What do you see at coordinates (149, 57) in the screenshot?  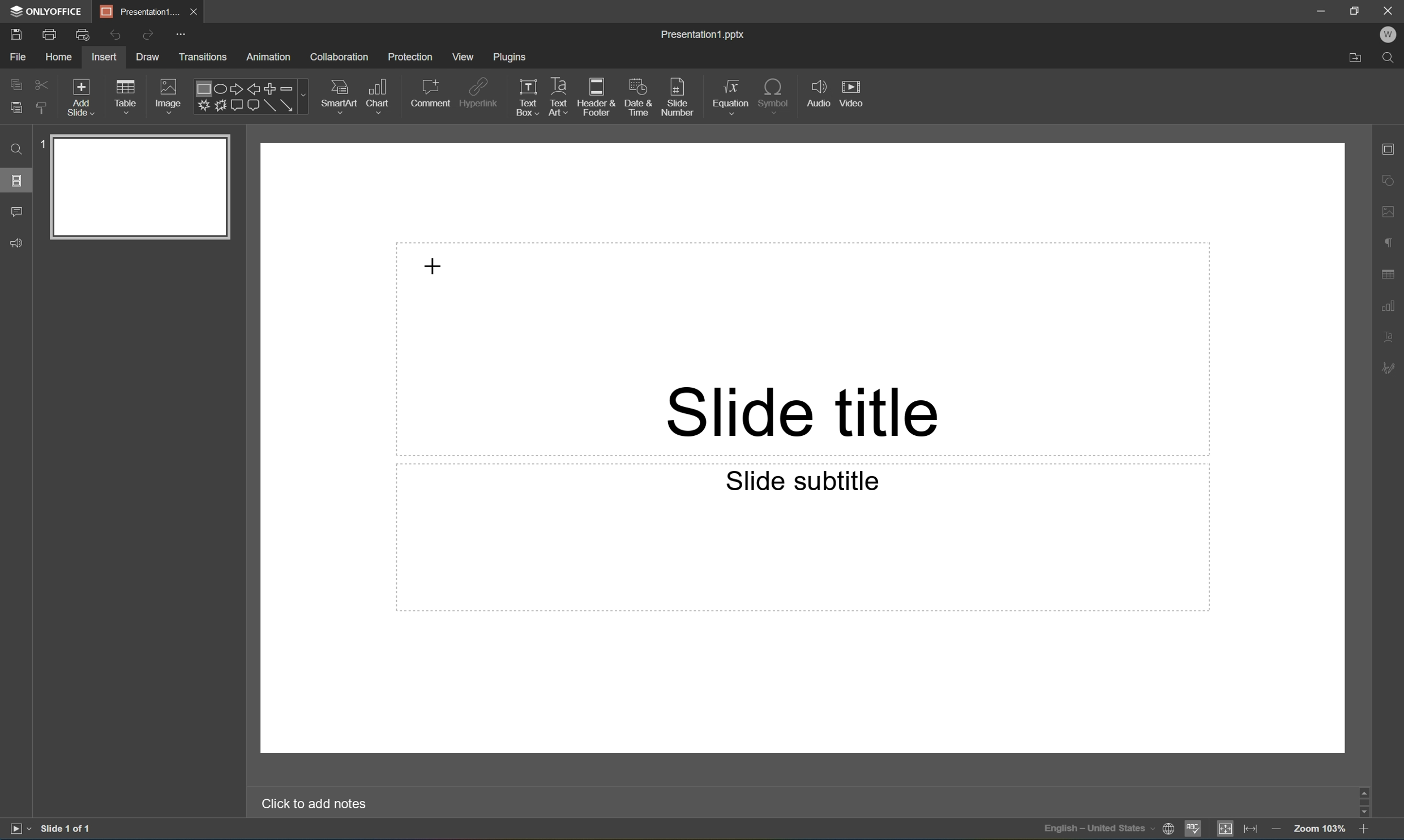 I see `Draw` at bounding box center [149, 57].